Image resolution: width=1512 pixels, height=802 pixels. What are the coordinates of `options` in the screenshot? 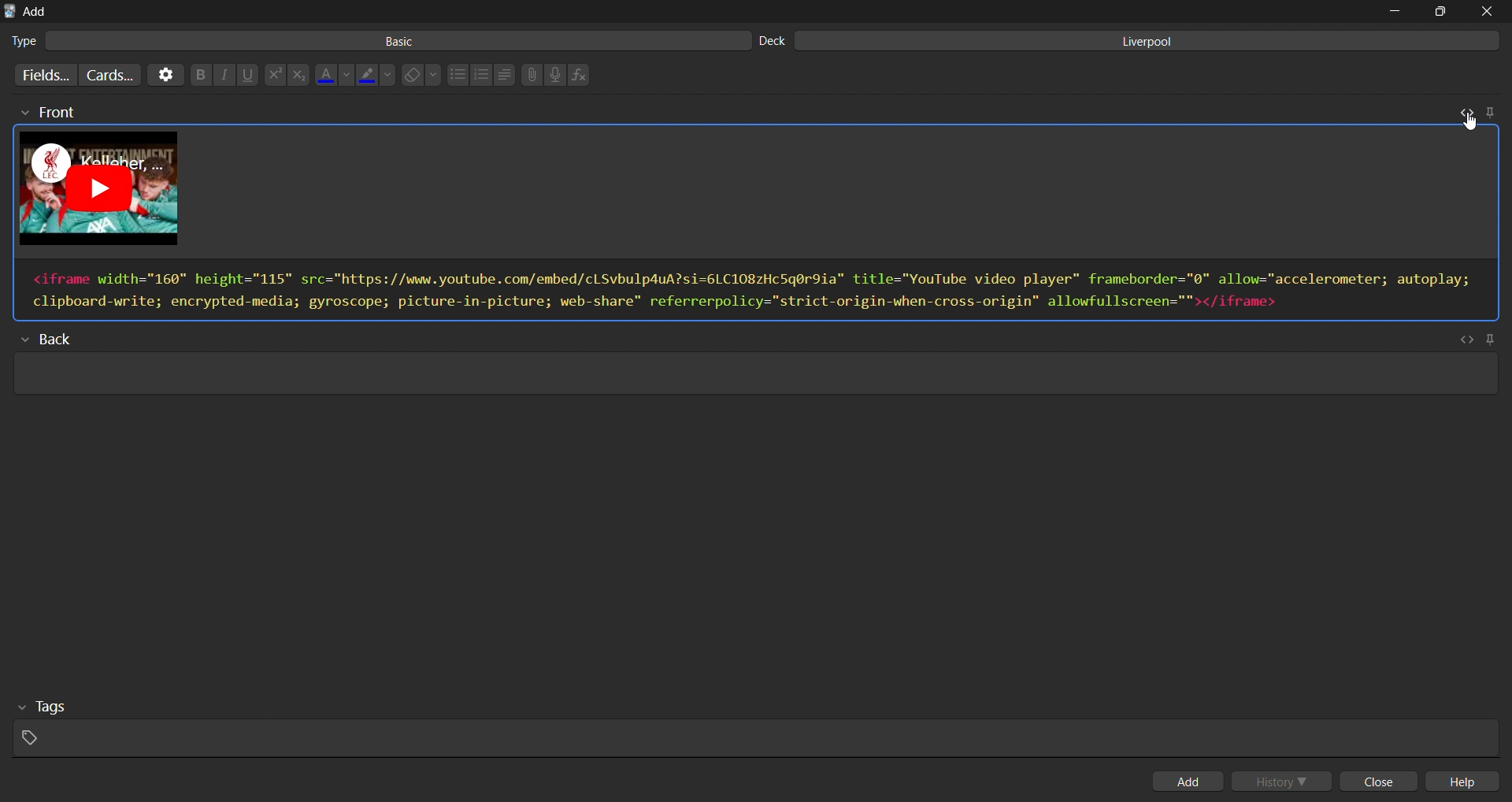 It's located at (164, 75).